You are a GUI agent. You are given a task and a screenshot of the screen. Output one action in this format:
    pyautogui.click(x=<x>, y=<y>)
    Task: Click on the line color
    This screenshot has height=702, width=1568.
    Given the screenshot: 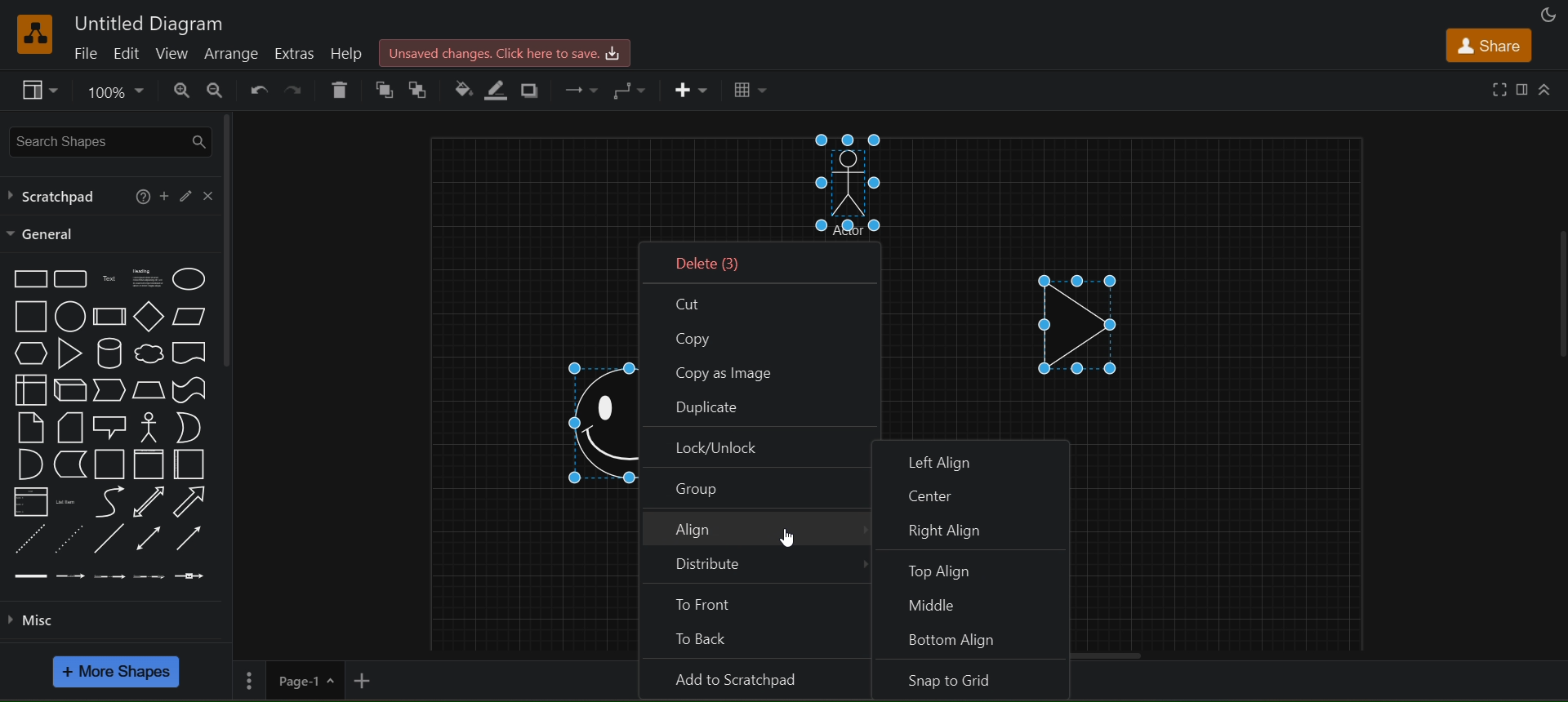 What is the action you would take?
    pyautogui.click(x=501, y=91)
    